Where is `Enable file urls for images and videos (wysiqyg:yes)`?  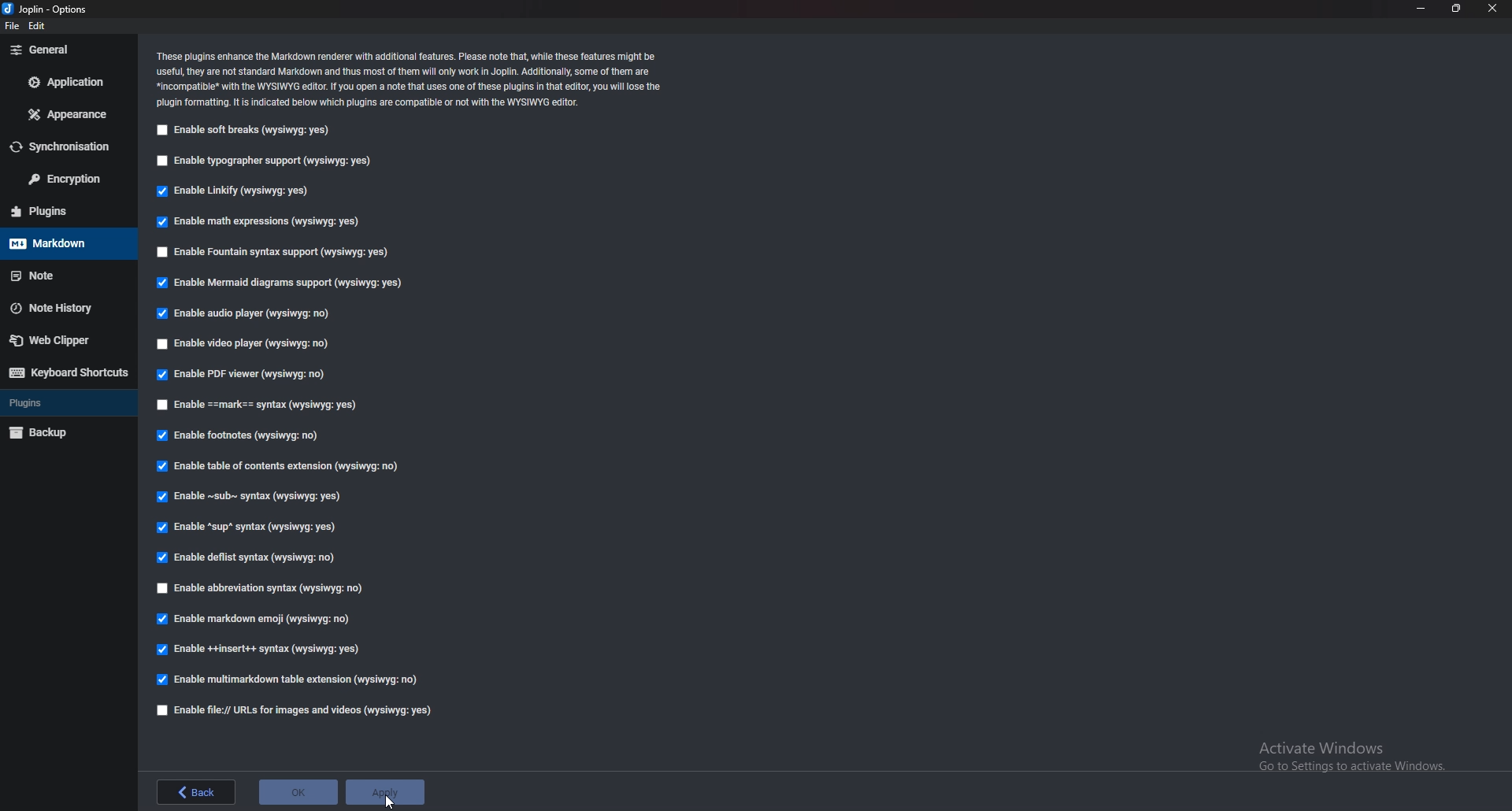 Enable file urls for images and videos (wysiqyg:yes) is located at coordinates (297, 710).